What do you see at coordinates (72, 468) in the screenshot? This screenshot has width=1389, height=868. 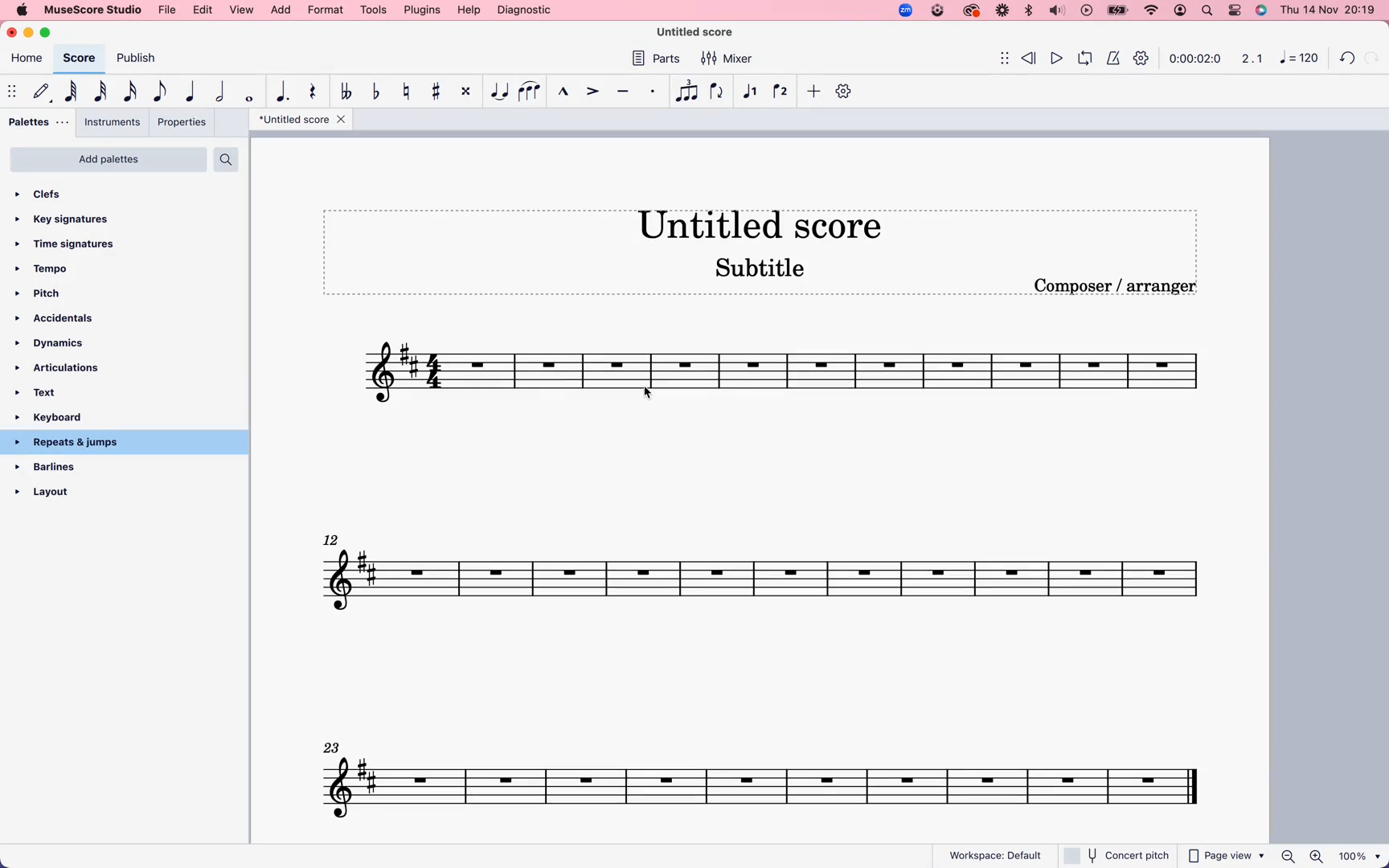 I see `barlines` at bounding box center [72, 468].